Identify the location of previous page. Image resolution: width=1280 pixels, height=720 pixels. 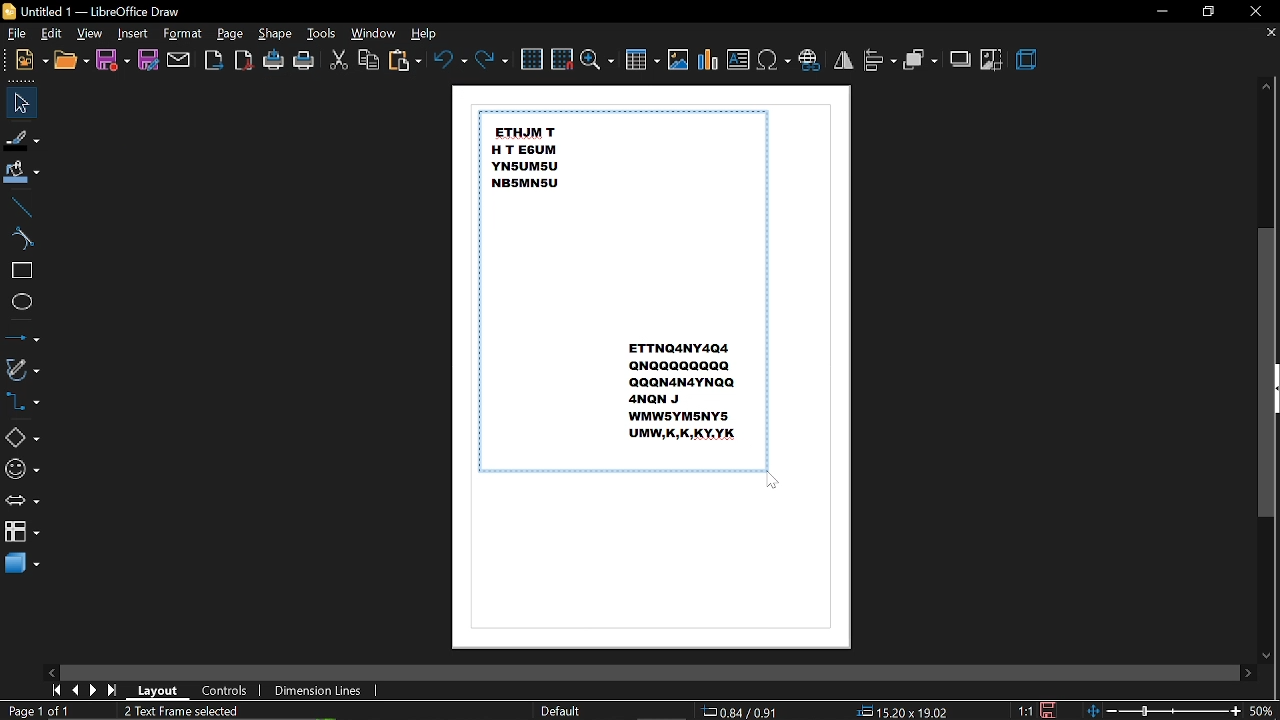
(77, 690).